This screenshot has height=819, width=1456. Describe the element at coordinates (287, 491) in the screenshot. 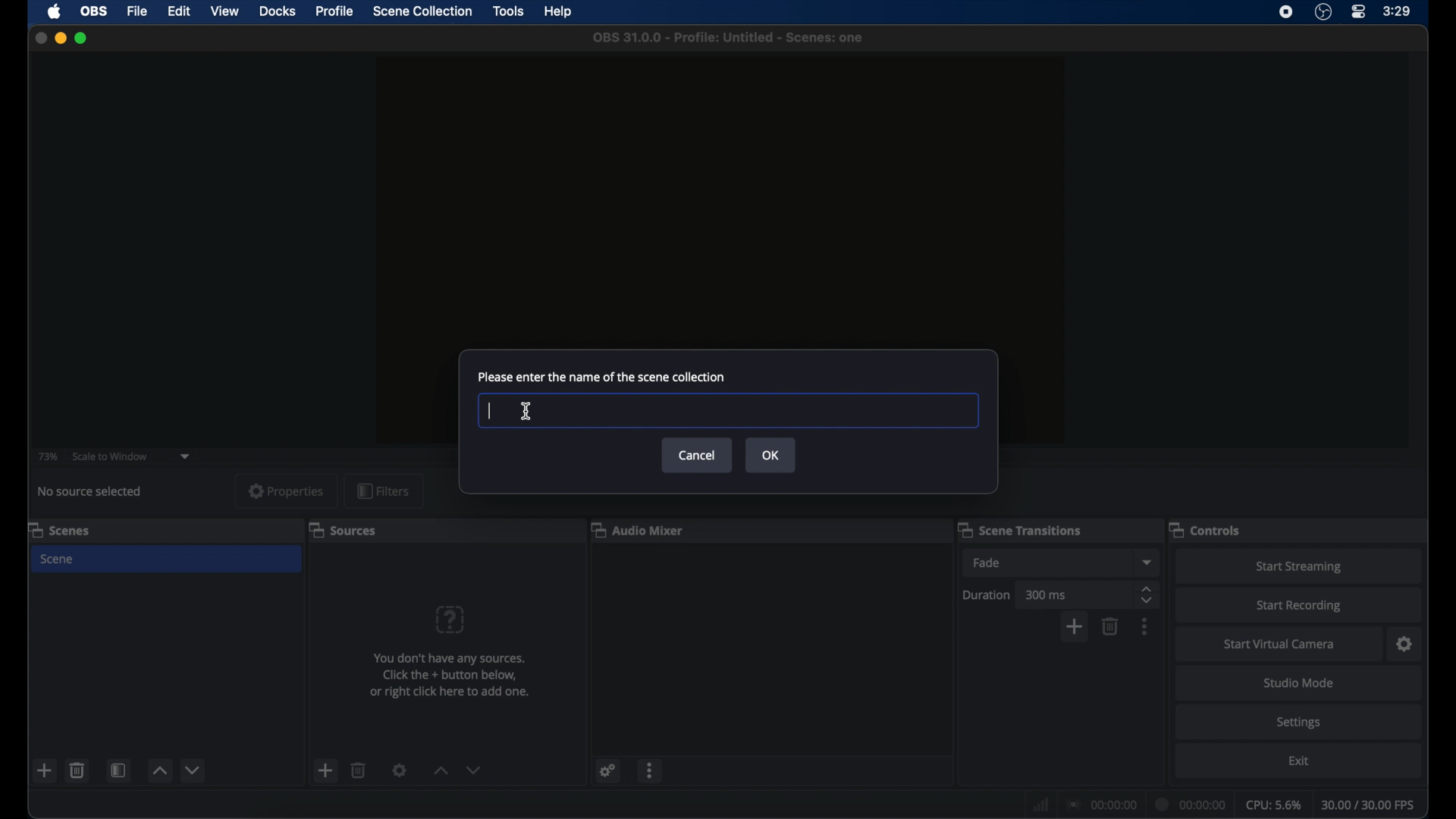

I see `properties` at that location.